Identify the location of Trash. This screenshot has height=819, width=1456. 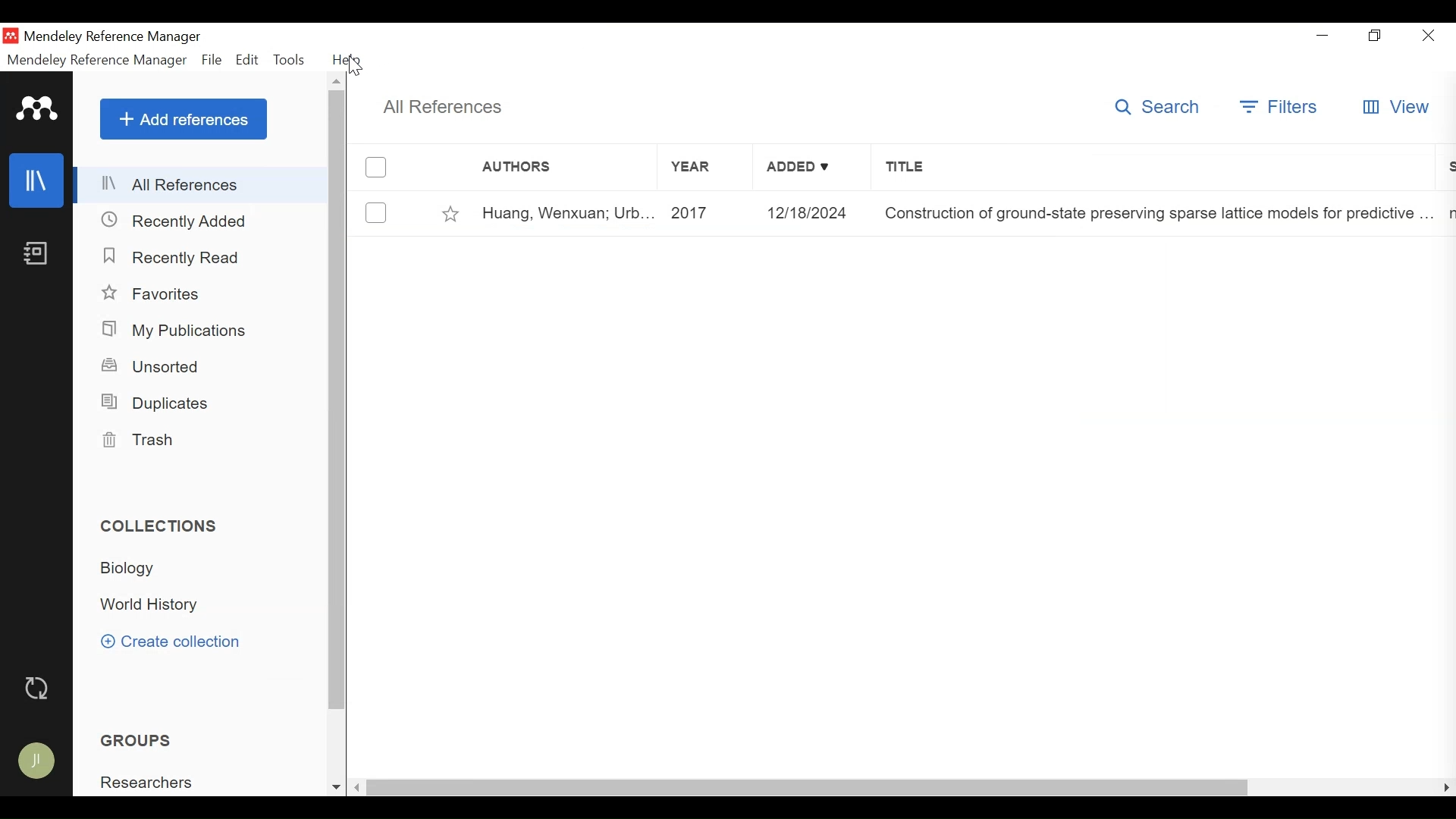
(143, 439).